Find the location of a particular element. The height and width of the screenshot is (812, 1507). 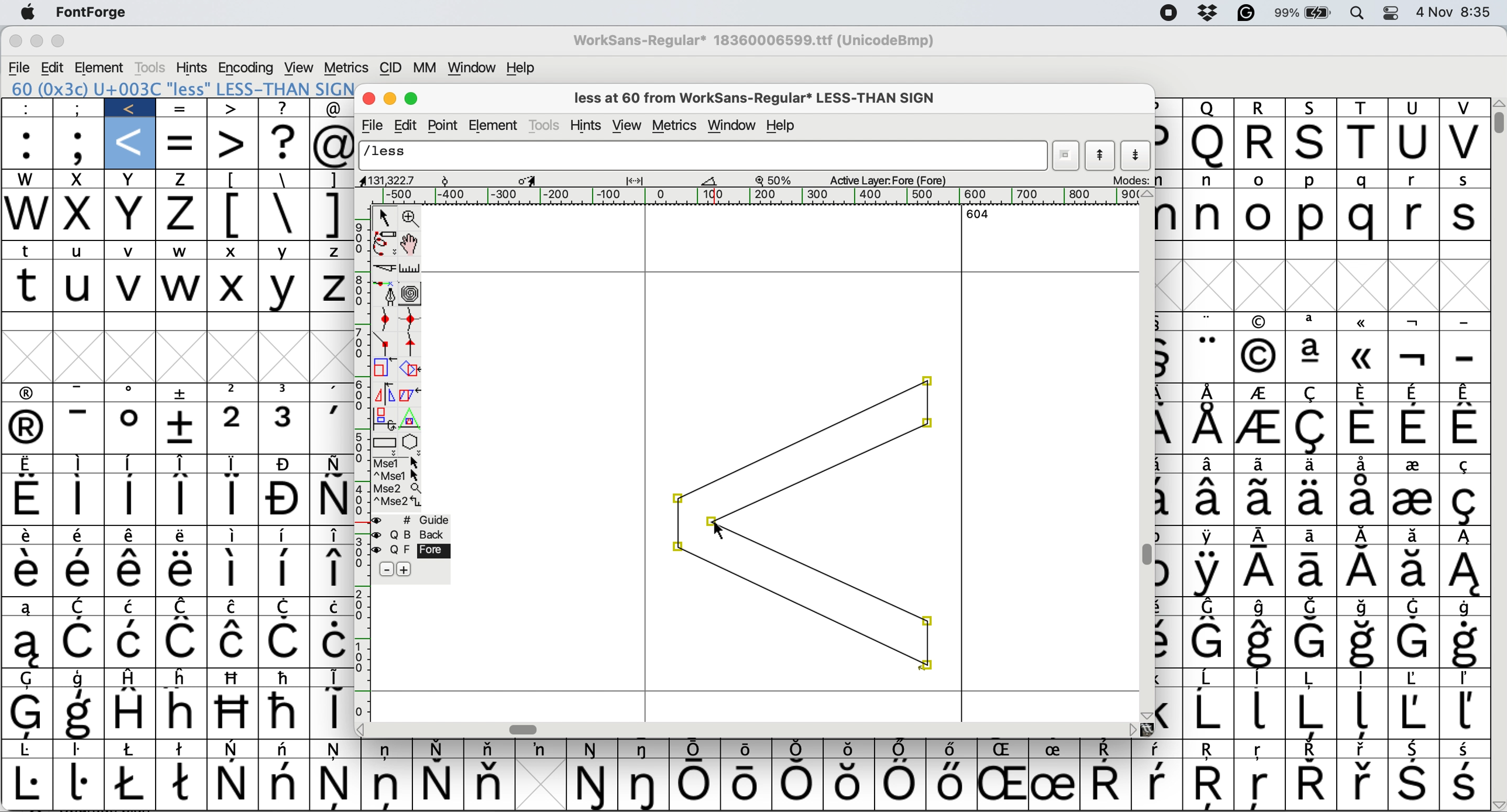

Symbol is located at coordinates (32, 535).